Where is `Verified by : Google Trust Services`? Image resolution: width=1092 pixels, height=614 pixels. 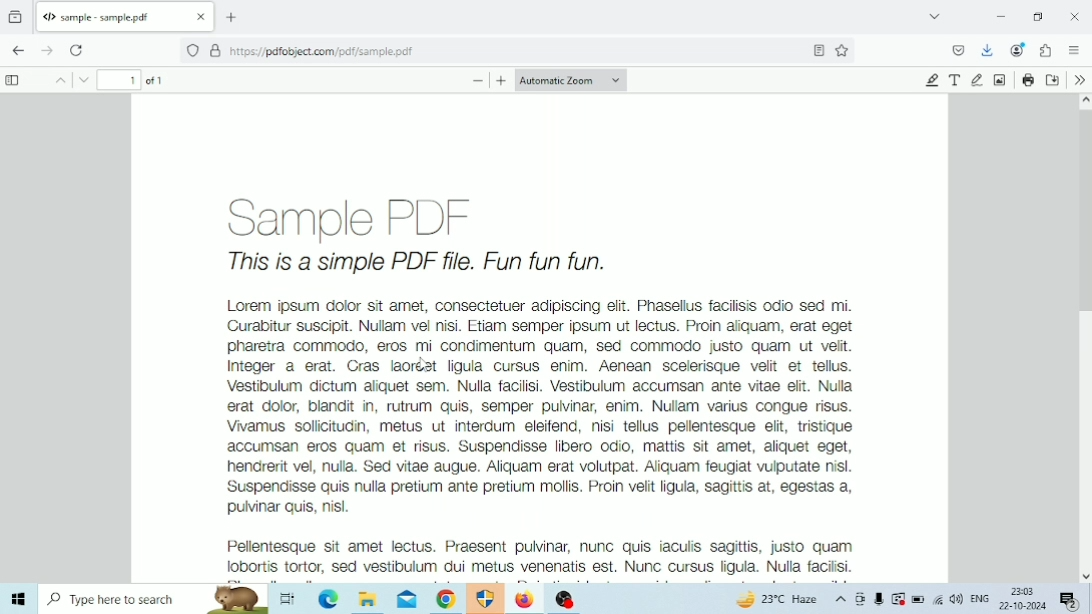
Verified by : Google Trust Services is located at coordinates (215, 51).